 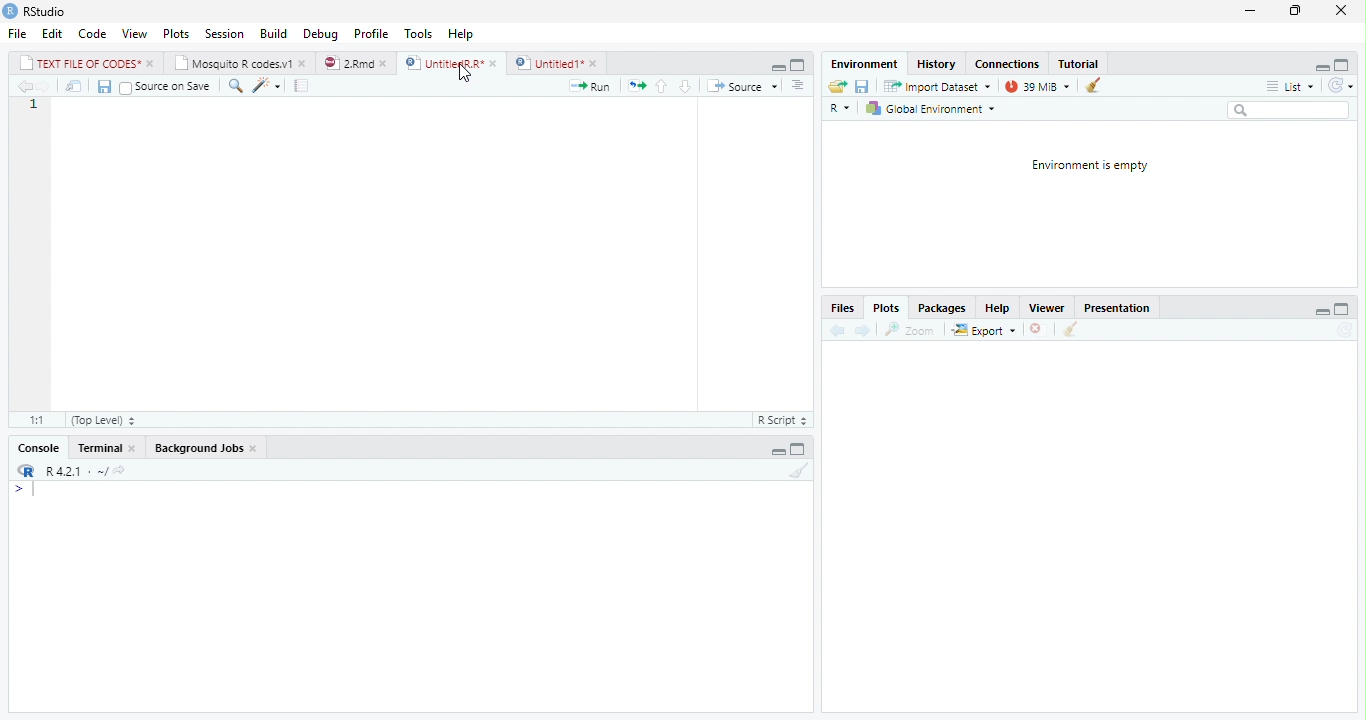 What do you see at coordinates (372, 33) in the screenshot?
I see `Profile` at bounding box center [372, 33].